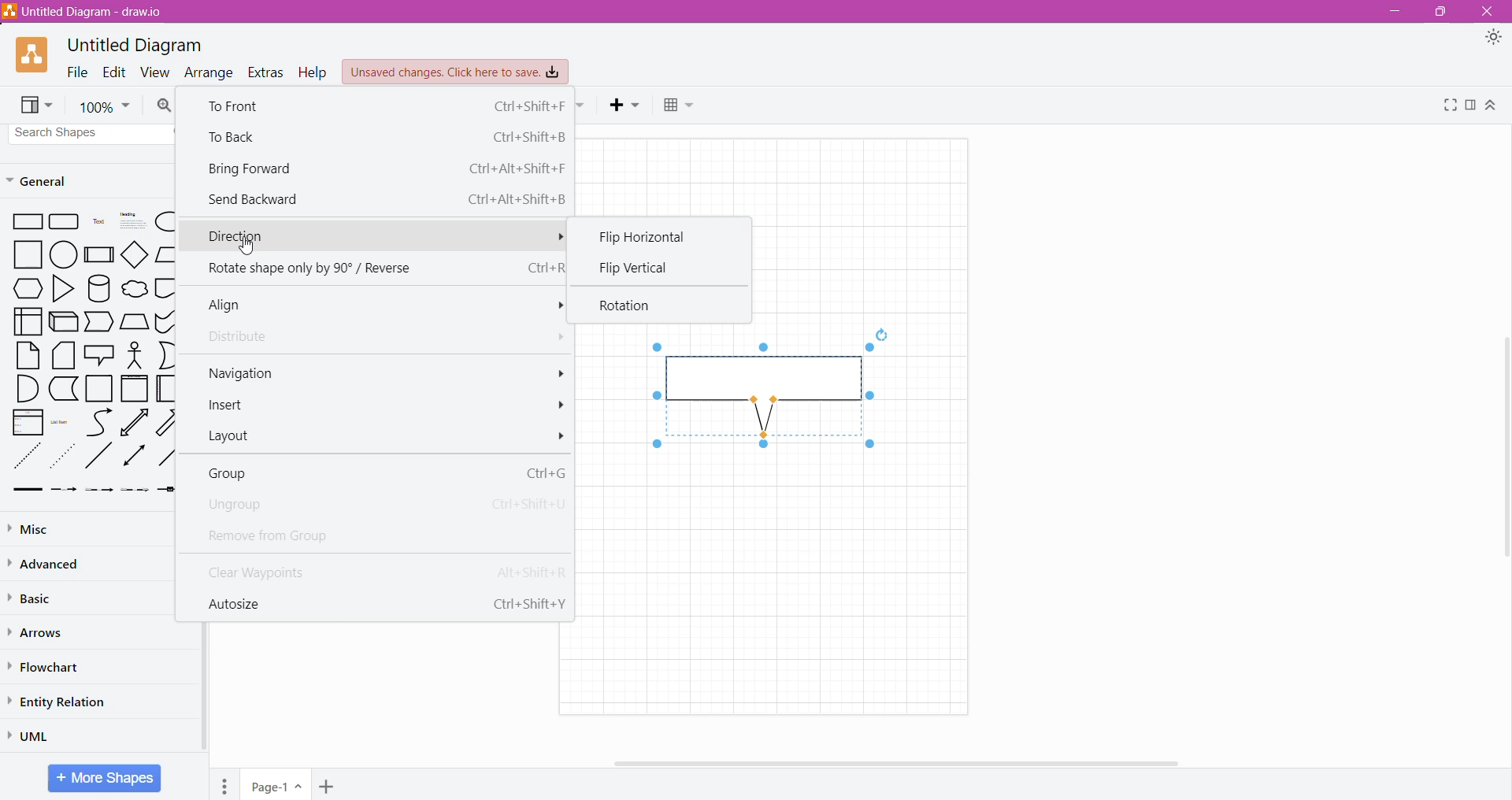 The height and width of the screenshot is (800, 1512). I want to click on Misc, so click(38, 528).